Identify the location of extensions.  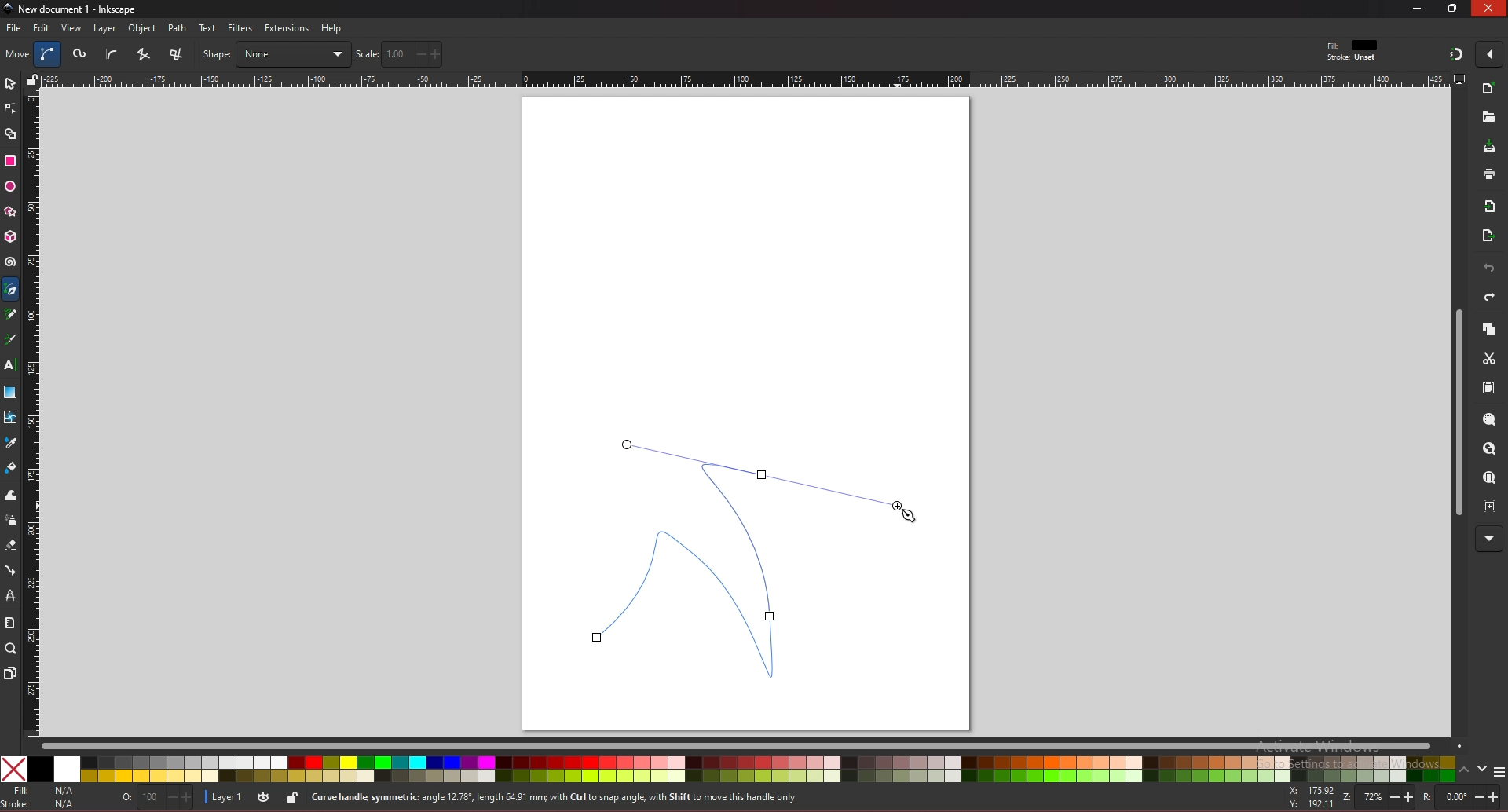
(286, 29).